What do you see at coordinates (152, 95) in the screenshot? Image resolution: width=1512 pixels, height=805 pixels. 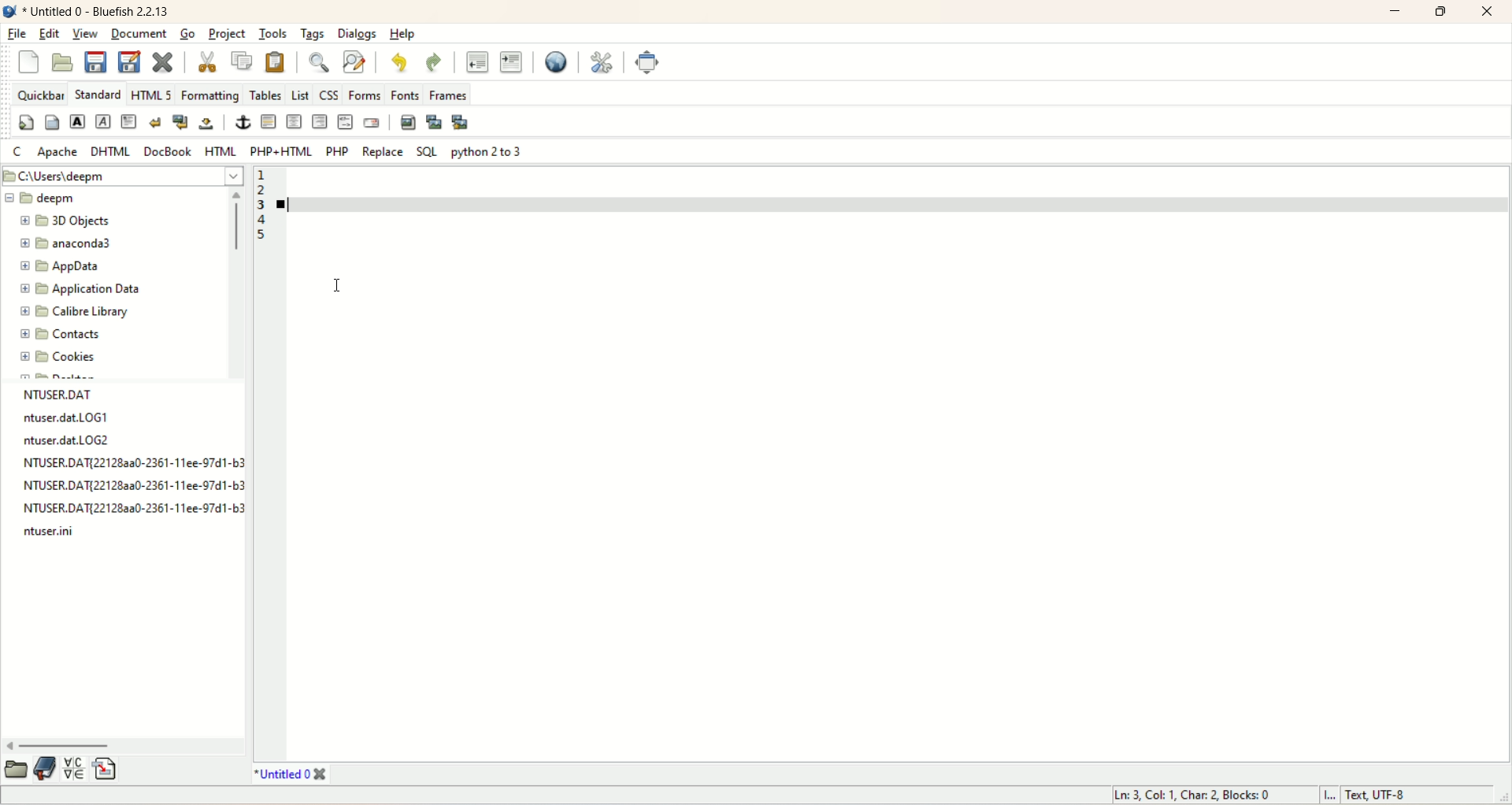 I see `HTML 5` at bounding box center [152, 95].